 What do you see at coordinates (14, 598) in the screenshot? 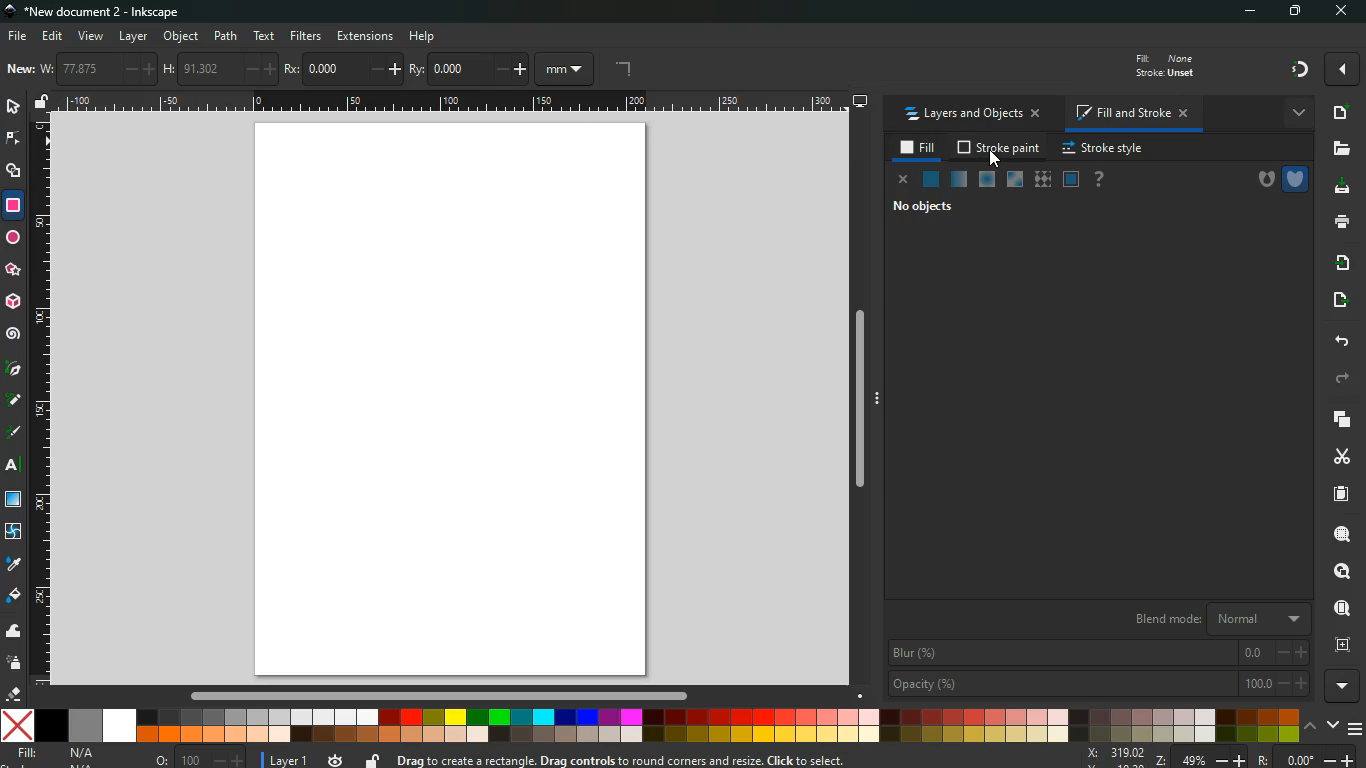
I see `fill` at bounding box center [14, 598].